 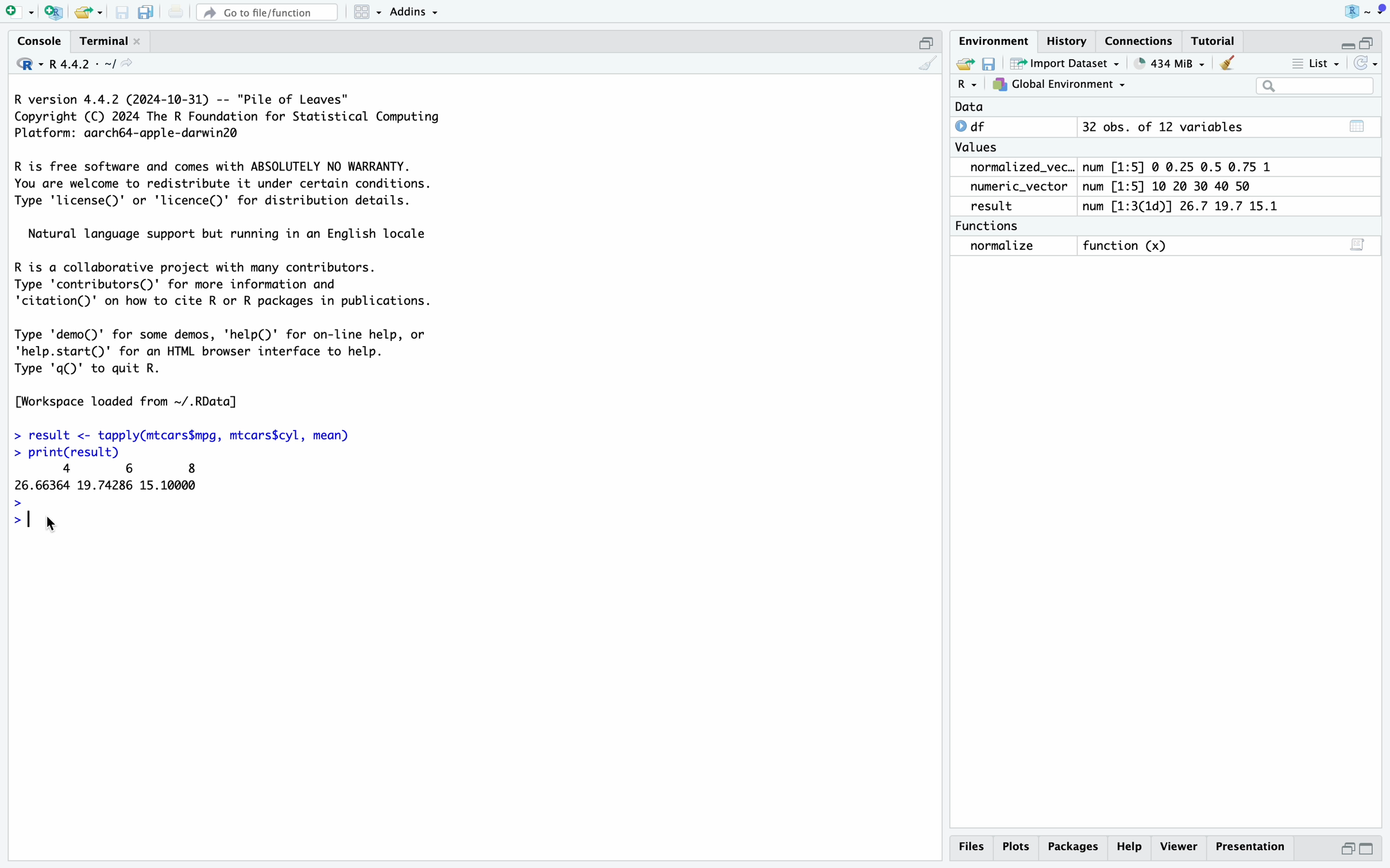 I want to click on Data, so click(x=972, y=108).